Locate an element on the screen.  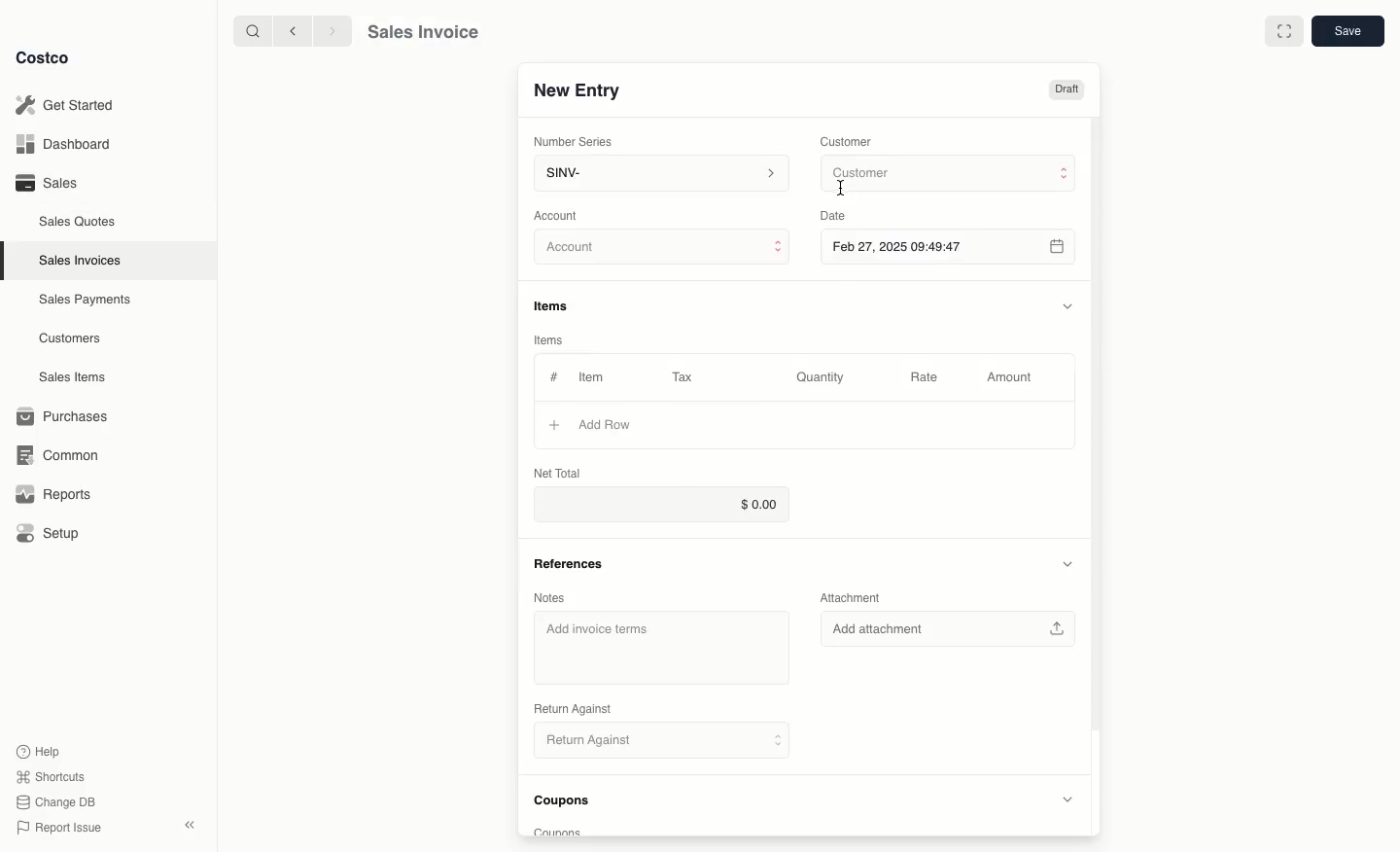
‘Add invoice terms is located at coordinates (601, 630).